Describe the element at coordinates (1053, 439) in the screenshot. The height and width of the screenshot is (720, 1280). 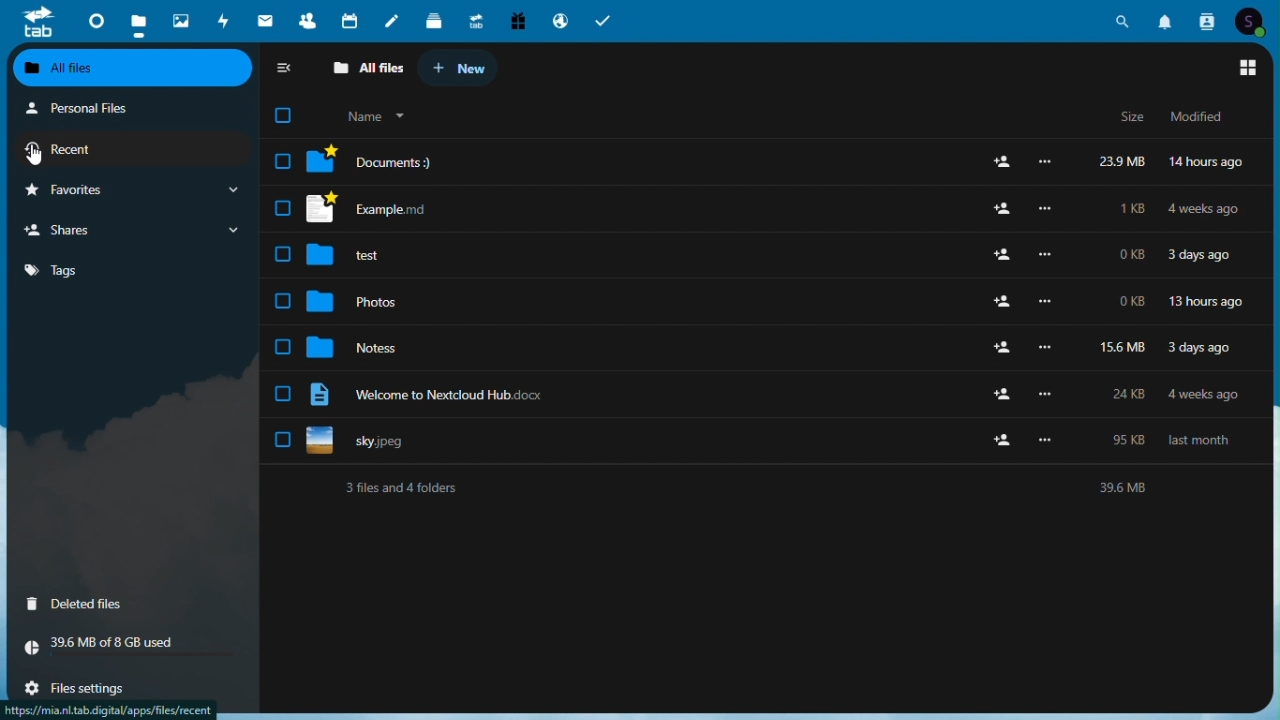
I see `options` at that location.